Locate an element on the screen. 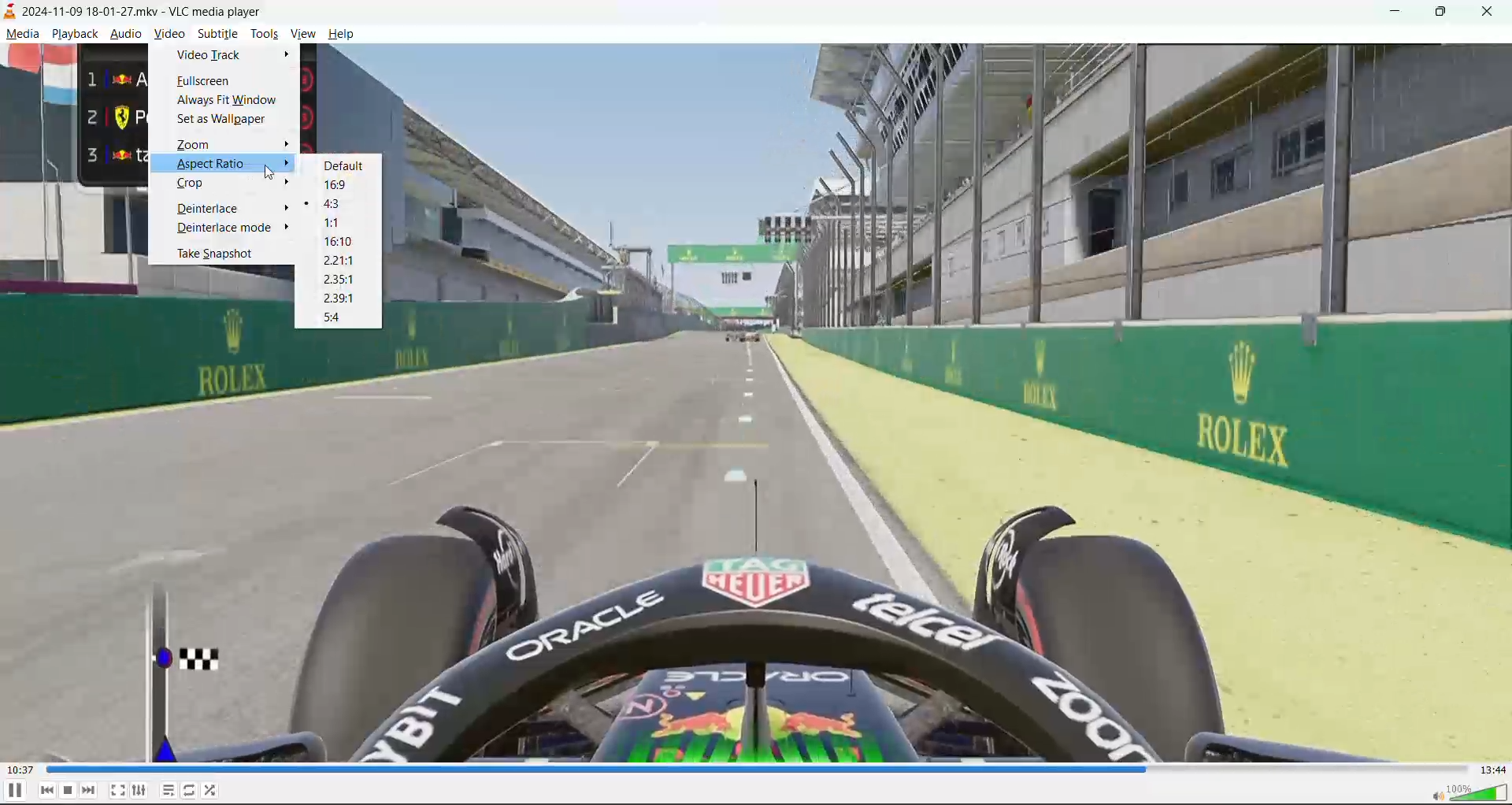 Image resolution: width=1512 pixels, height=805 pixels. toggle loop is located at coordinates (191, 791).